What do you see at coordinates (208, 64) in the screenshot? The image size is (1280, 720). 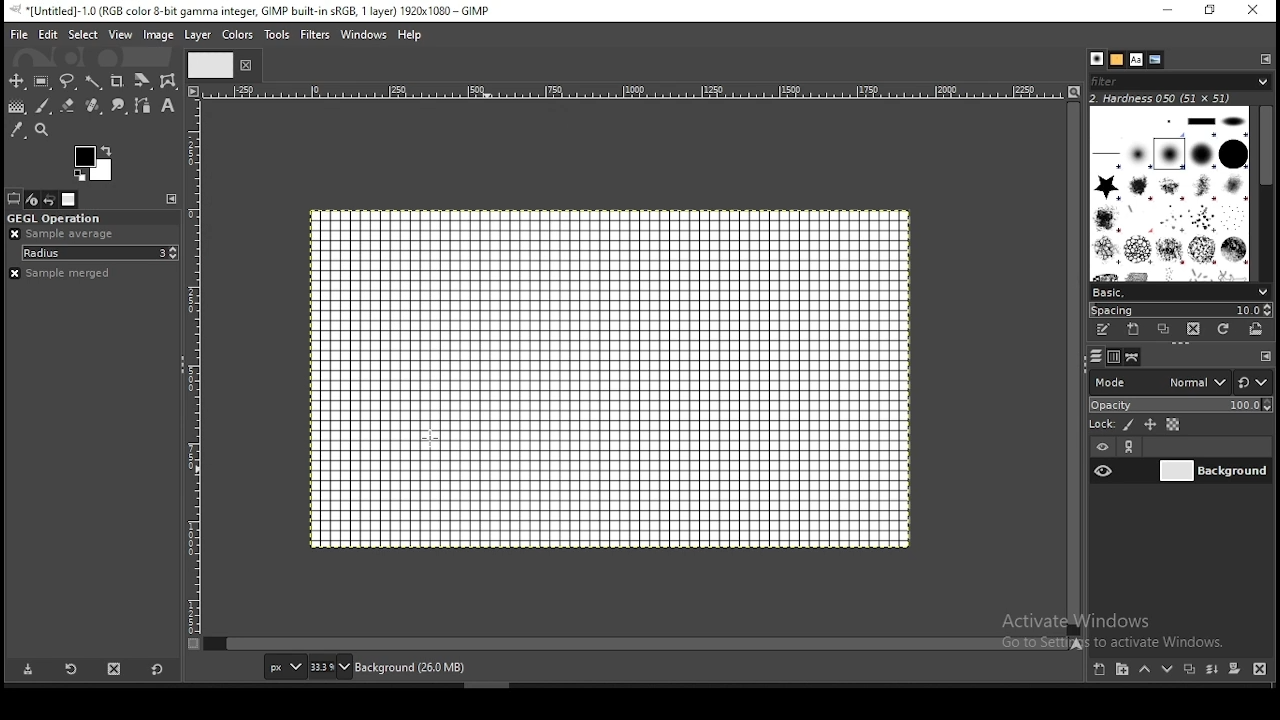 I see `tab` at bounding box center [208, 64].